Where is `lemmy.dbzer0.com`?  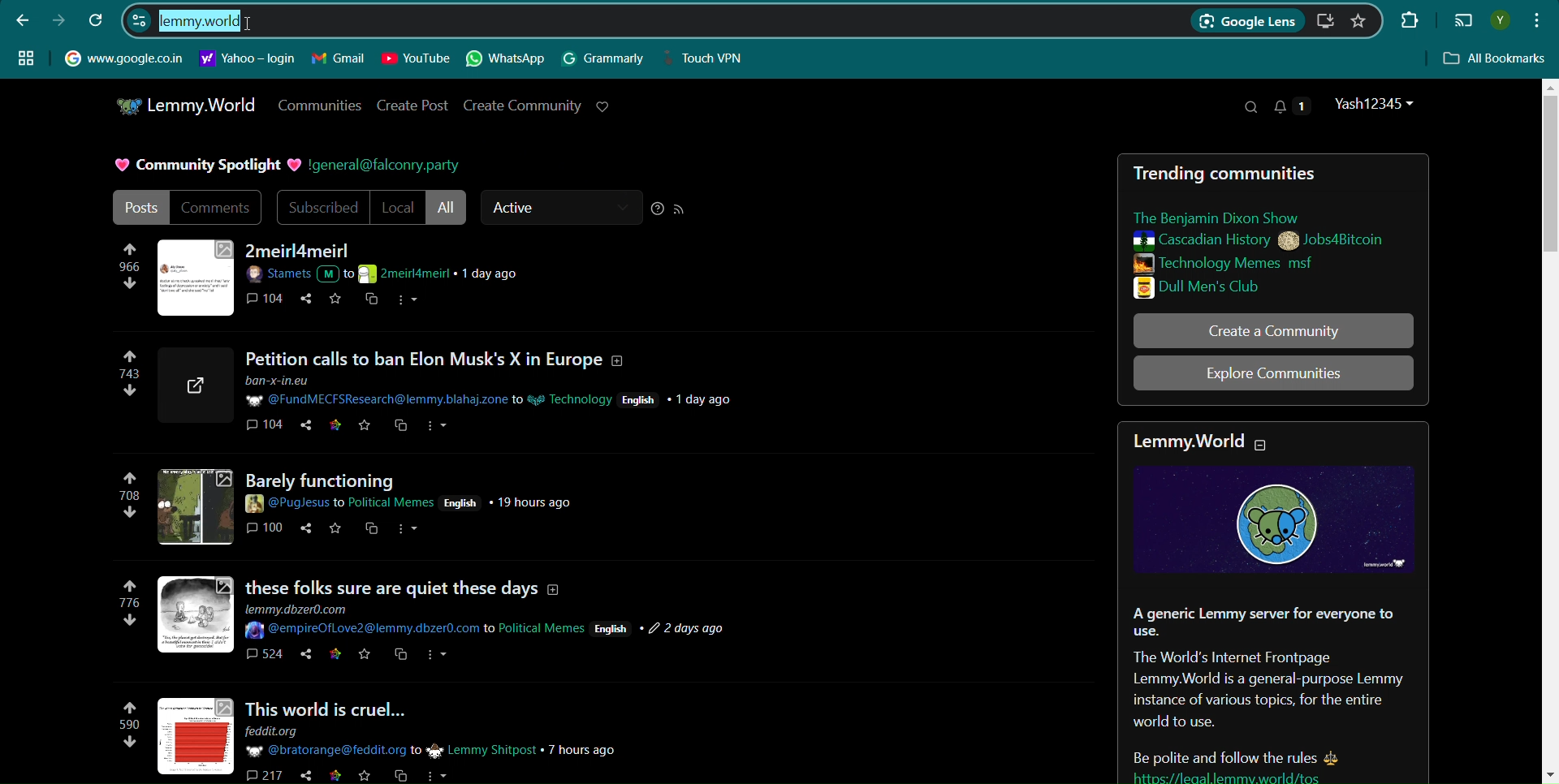 lemmy.dbzer0.com is located at coordinates (304, 608).